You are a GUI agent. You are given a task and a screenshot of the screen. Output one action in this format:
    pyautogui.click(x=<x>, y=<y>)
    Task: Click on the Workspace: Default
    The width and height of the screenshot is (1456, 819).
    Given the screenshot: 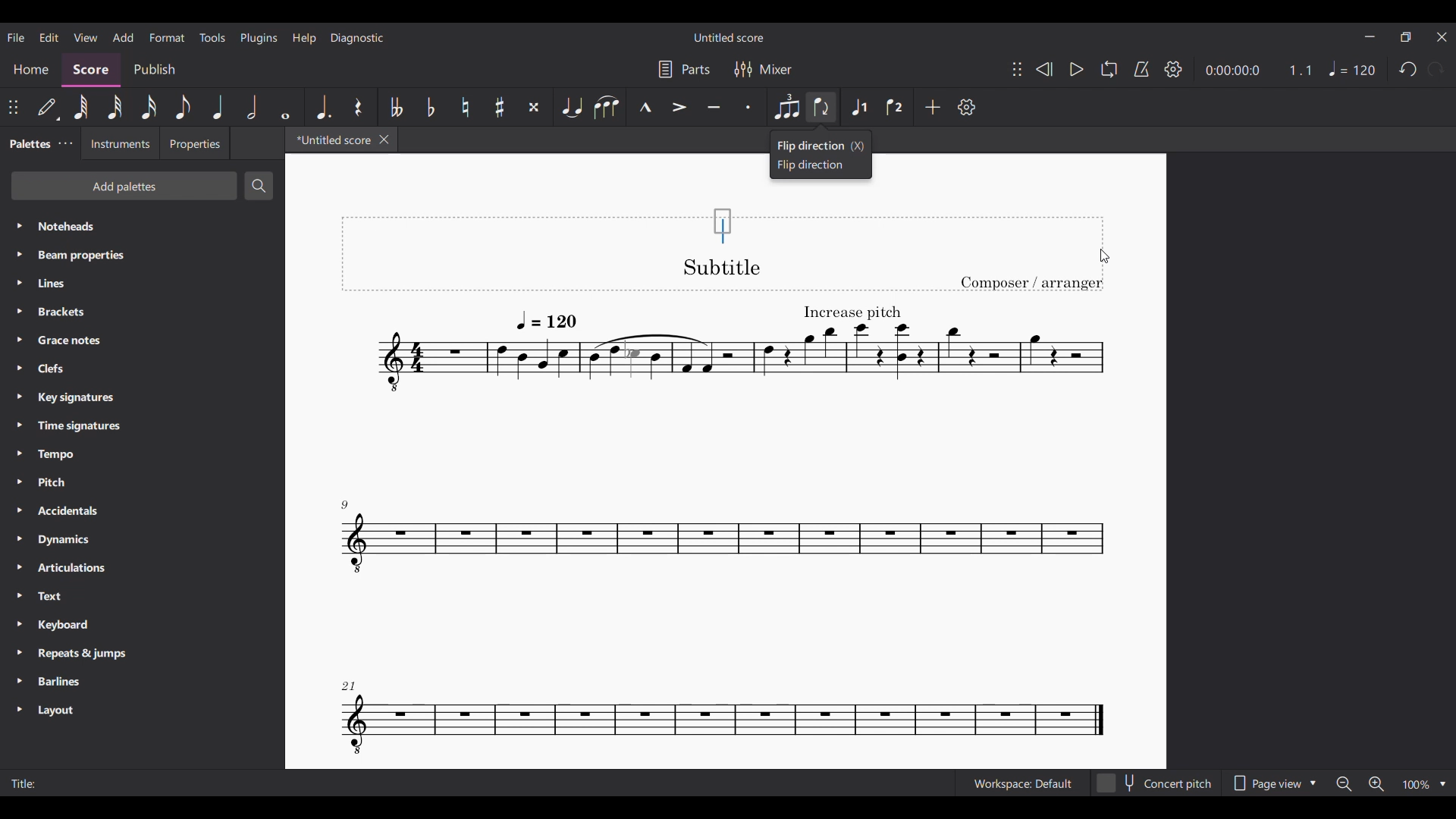 What is the action you would take?
    pyautogui.click(x=1023, y=783)
    